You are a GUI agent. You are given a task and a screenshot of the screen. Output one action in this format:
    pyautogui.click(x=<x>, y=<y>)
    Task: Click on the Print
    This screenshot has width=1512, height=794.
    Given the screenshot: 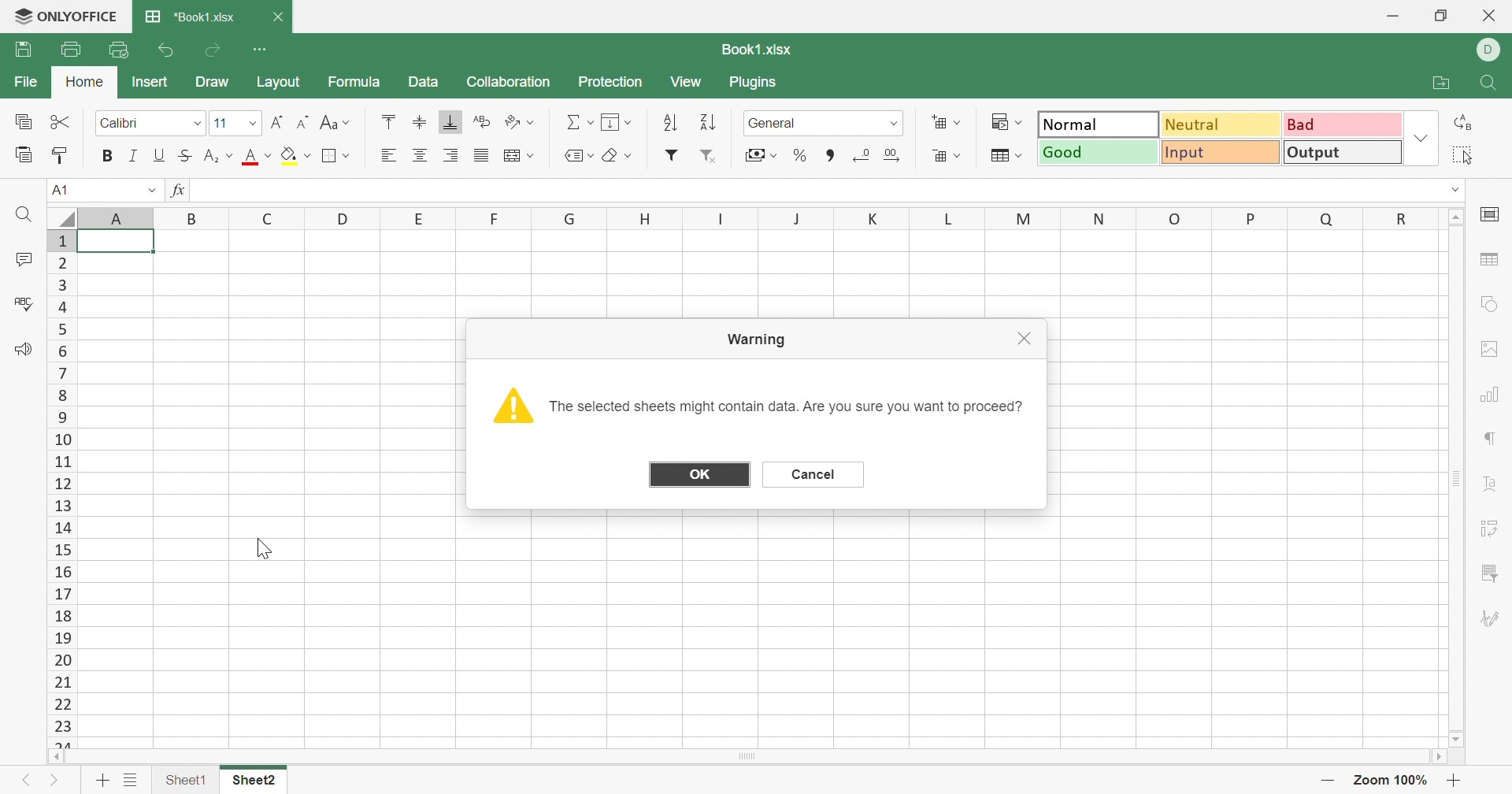 What is the action you would take?
    pyautogui.click(x=69, y=46)
    